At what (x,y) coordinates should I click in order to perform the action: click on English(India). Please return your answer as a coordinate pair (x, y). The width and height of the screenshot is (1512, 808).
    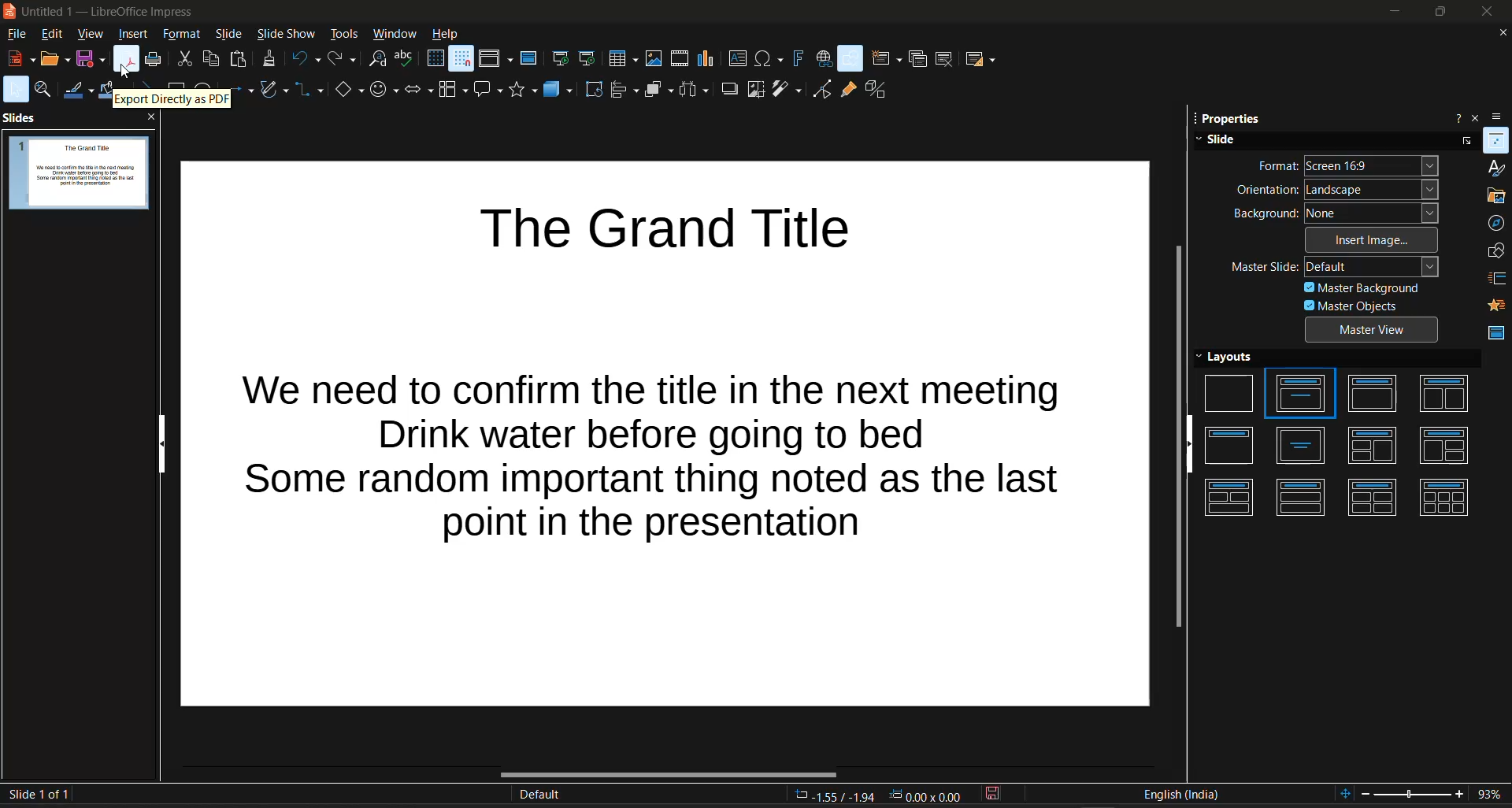
    Looking at the image, I should click on (1181, 795).